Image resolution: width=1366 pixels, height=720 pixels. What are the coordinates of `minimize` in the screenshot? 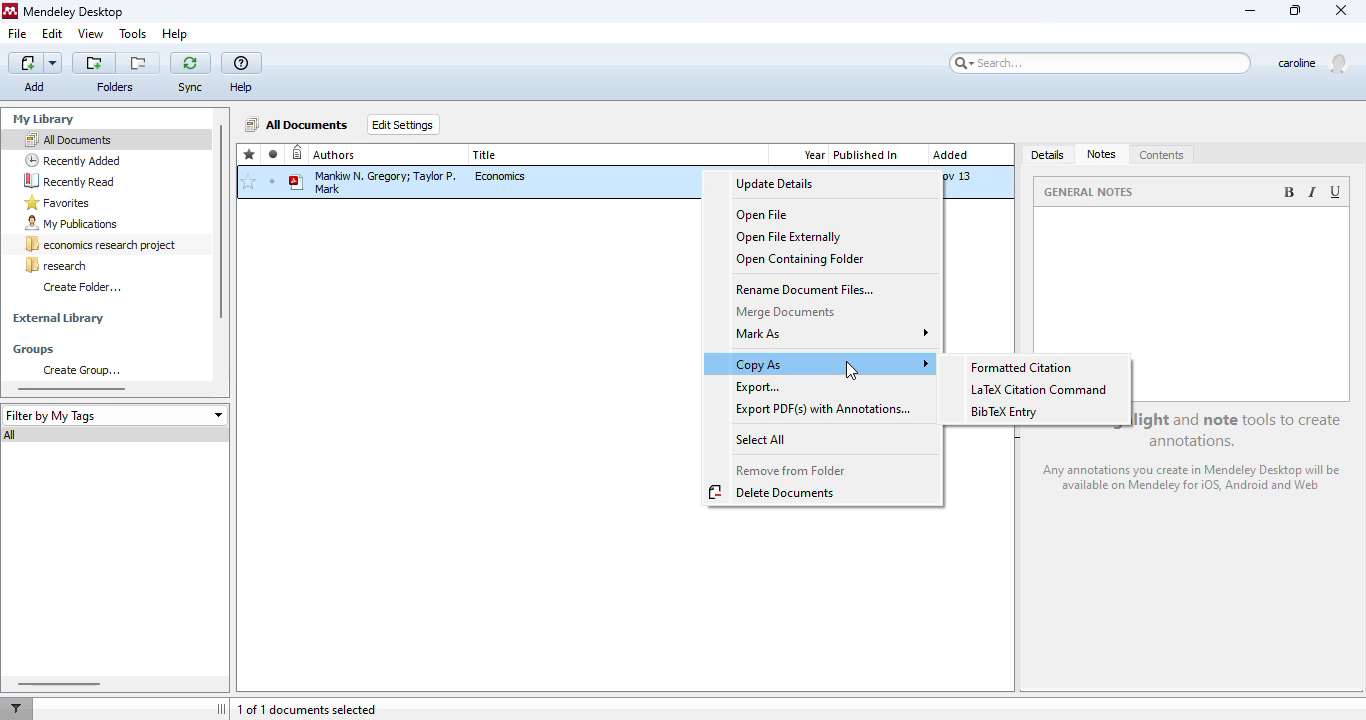 It's located at (1251, 12).